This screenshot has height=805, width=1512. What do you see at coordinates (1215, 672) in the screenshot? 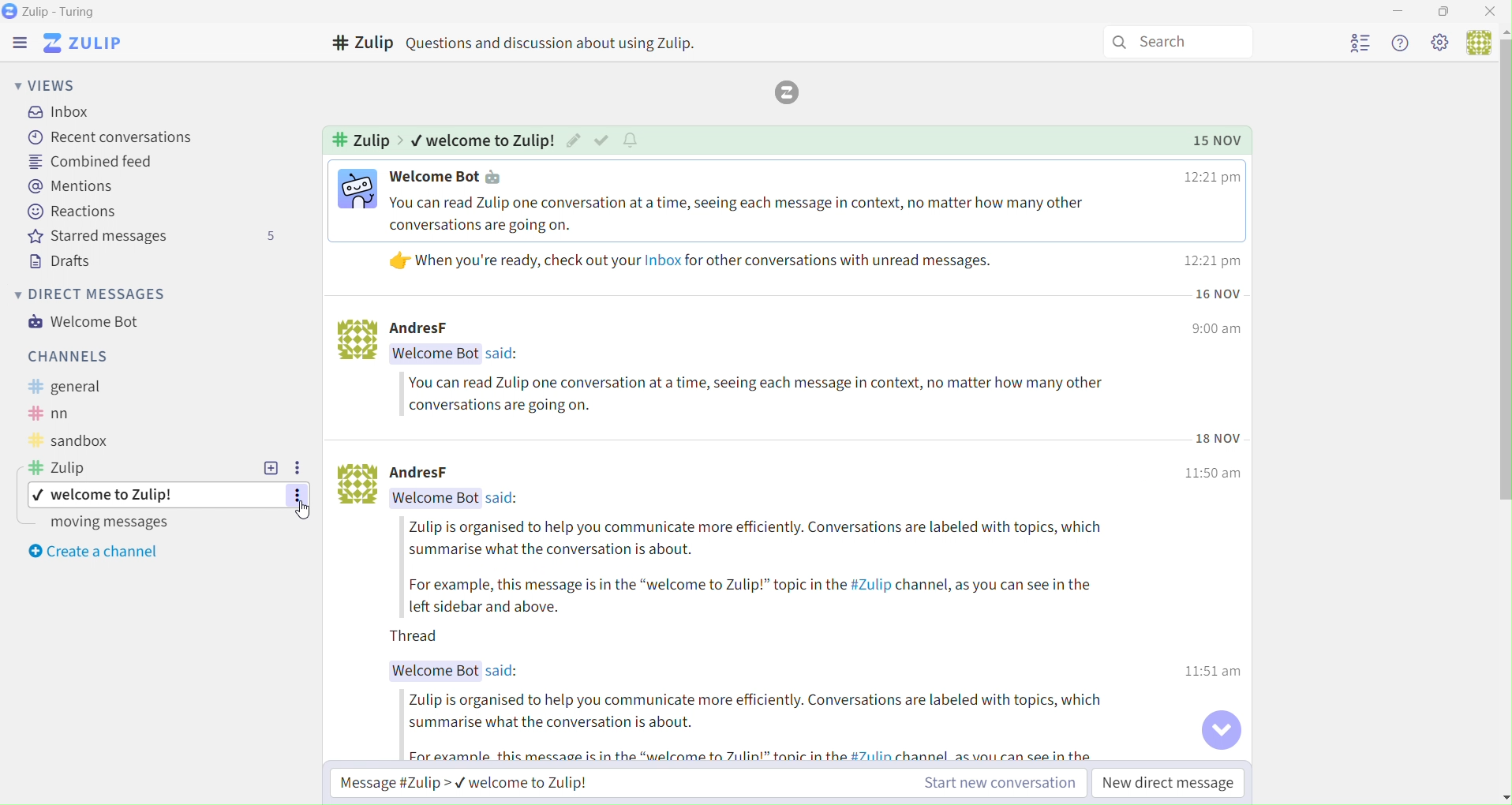
I see `Time` at bounding box center [1215, 672].